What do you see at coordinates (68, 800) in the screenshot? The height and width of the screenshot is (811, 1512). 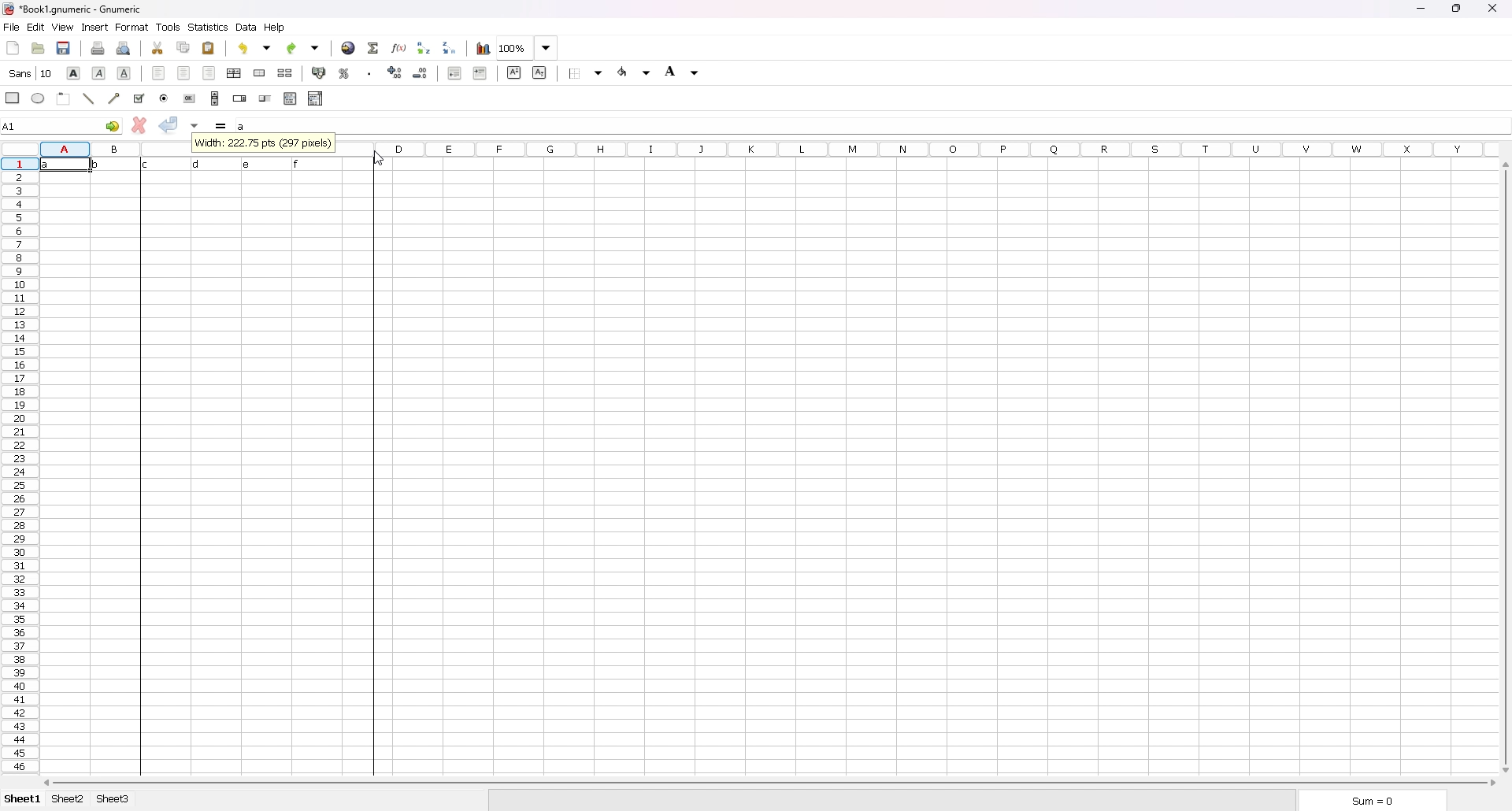 I see `sheet 2` at bounding box center [68, 800].